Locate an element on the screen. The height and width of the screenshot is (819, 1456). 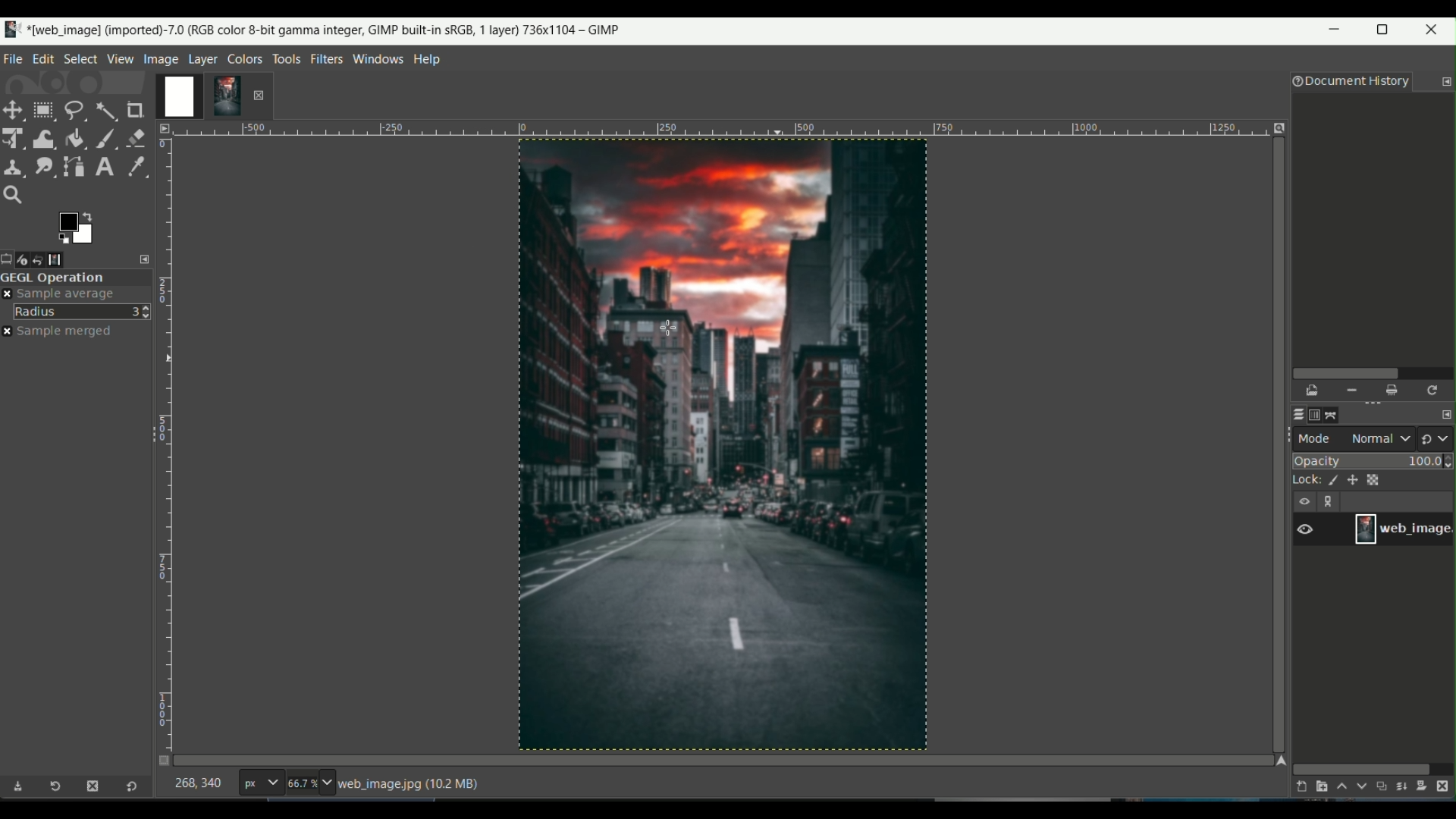
unified transform tool is located at coordinates (14, 137).